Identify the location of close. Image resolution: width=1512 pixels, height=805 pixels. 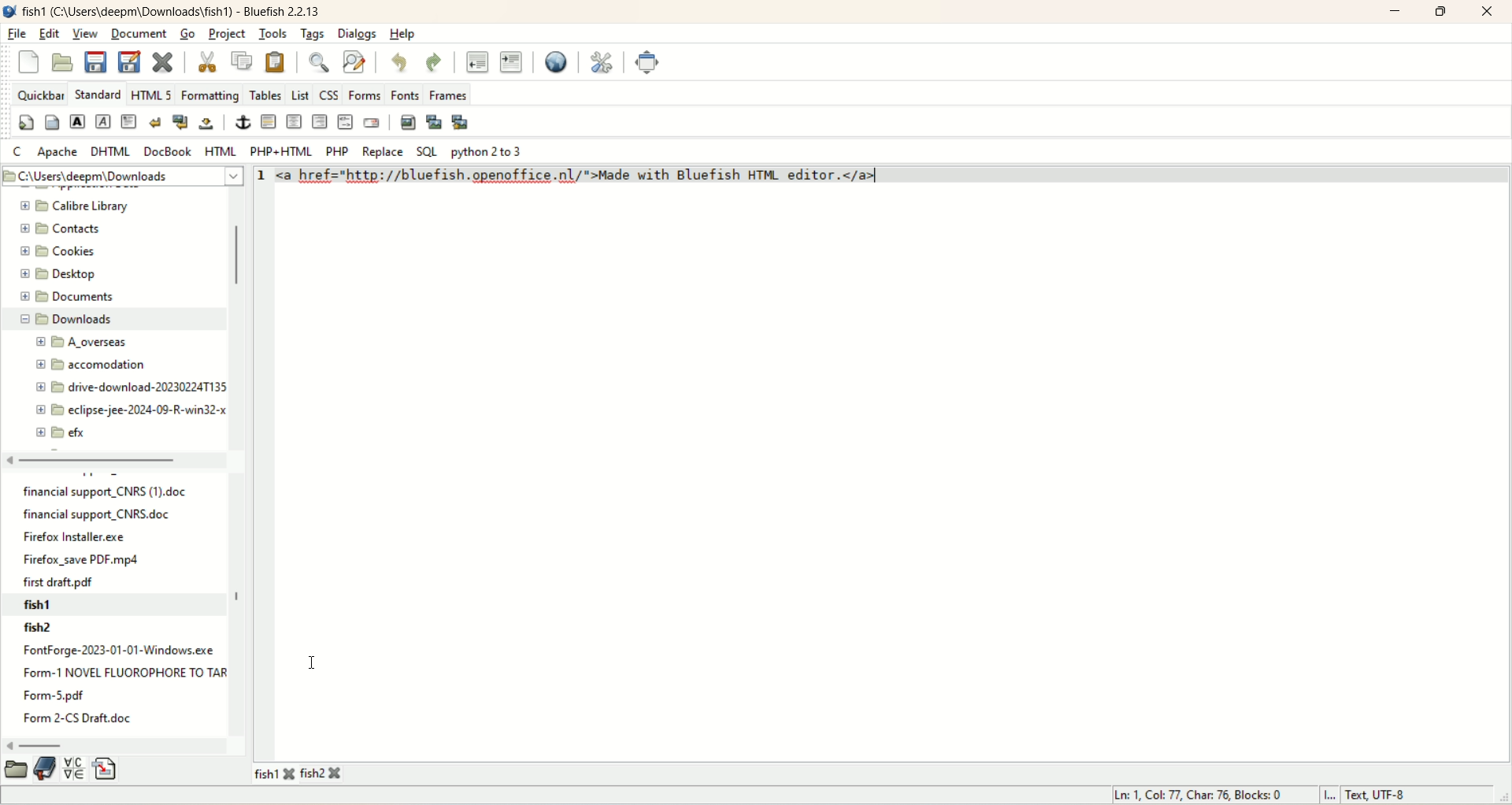
(1487, 11).